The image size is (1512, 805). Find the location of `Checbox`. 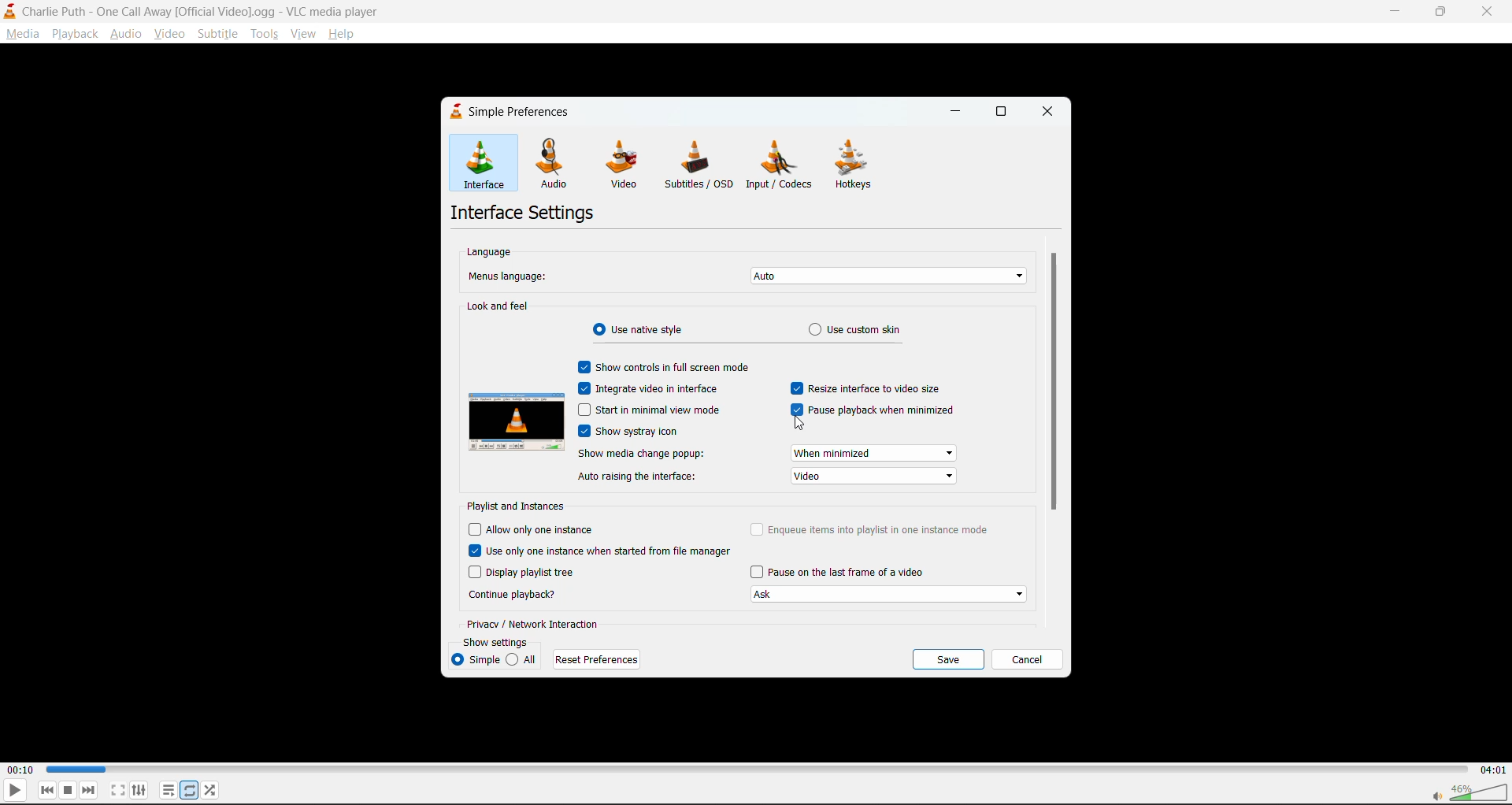

Checbox is located at coordinates (584, 410).